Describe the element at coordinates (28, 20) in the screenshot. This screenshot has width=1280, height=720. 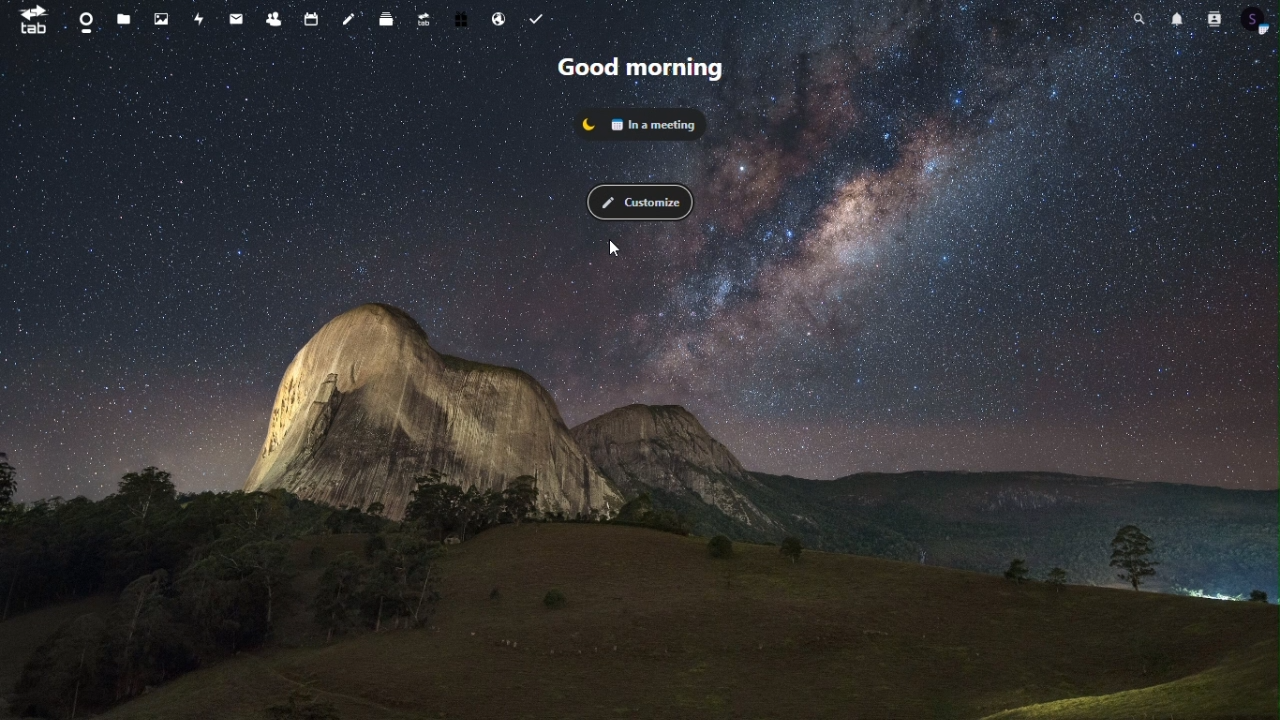
I see `tab` at that location.